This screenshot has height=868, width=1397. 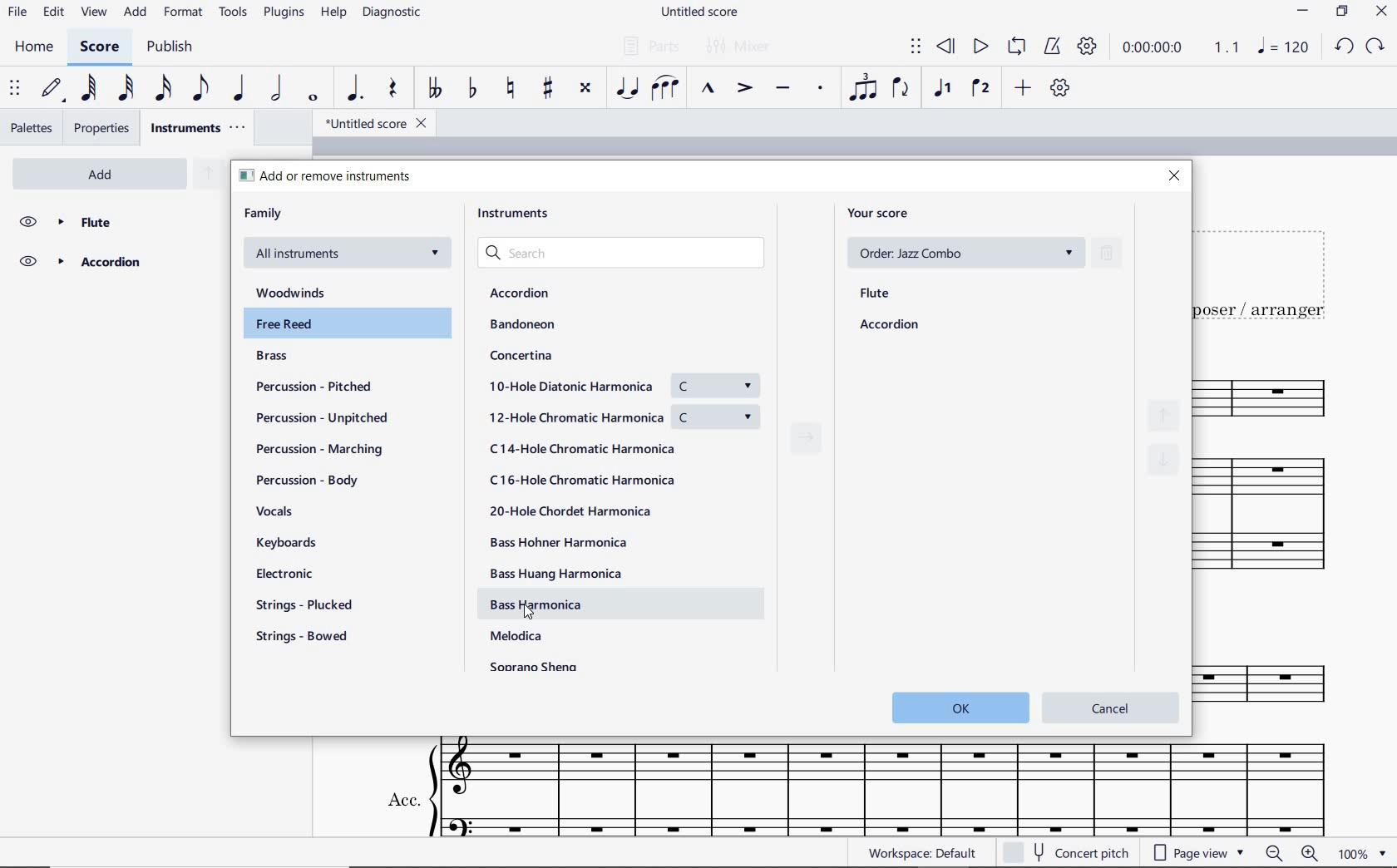 What do you see at coordinates (348, 327) in the screenshot?
I see `Free Reed` at bounding box center [348, 327].